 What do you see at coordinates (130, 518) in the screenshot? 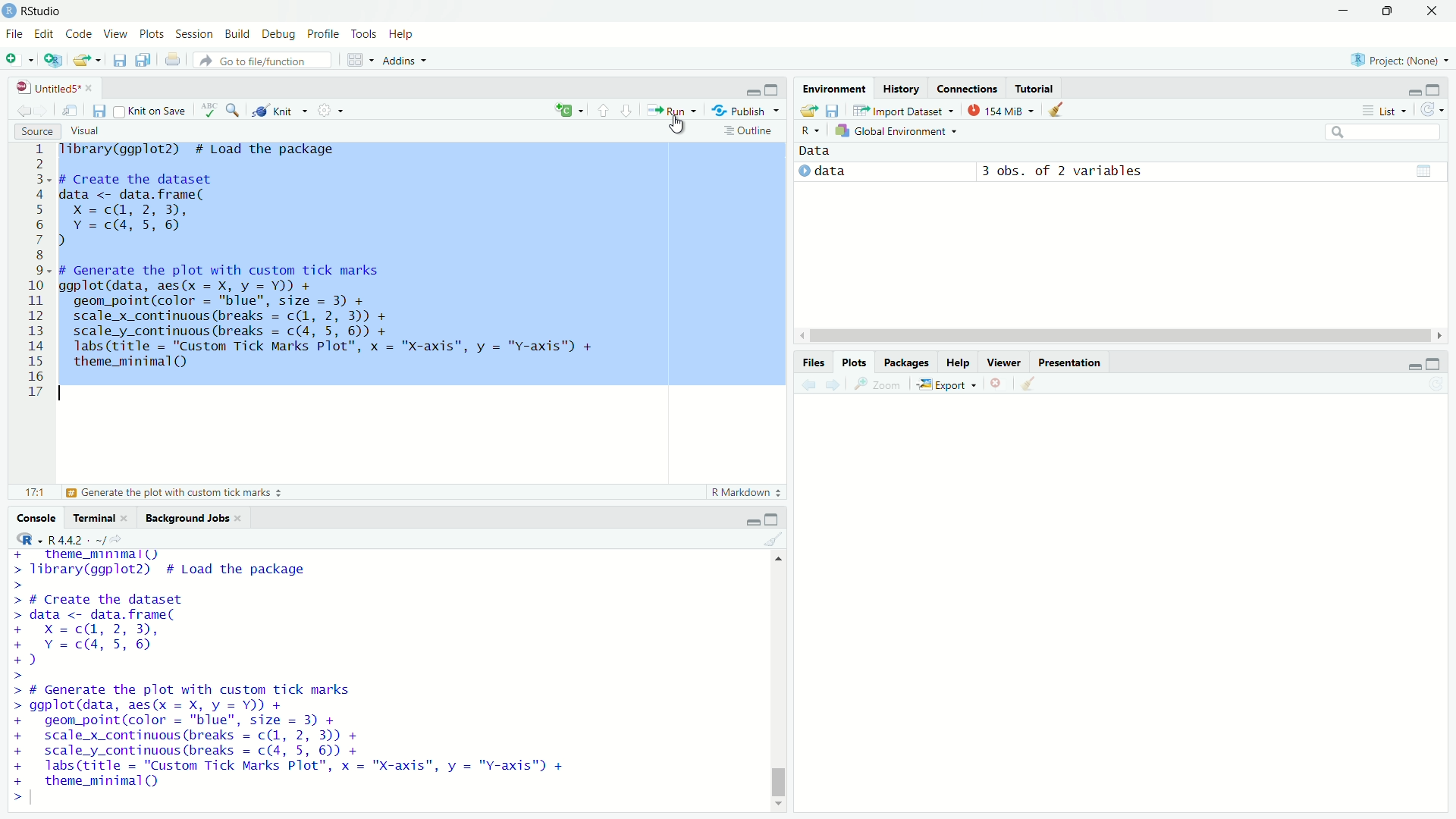
I see `close` at bounding box center [130, 518].